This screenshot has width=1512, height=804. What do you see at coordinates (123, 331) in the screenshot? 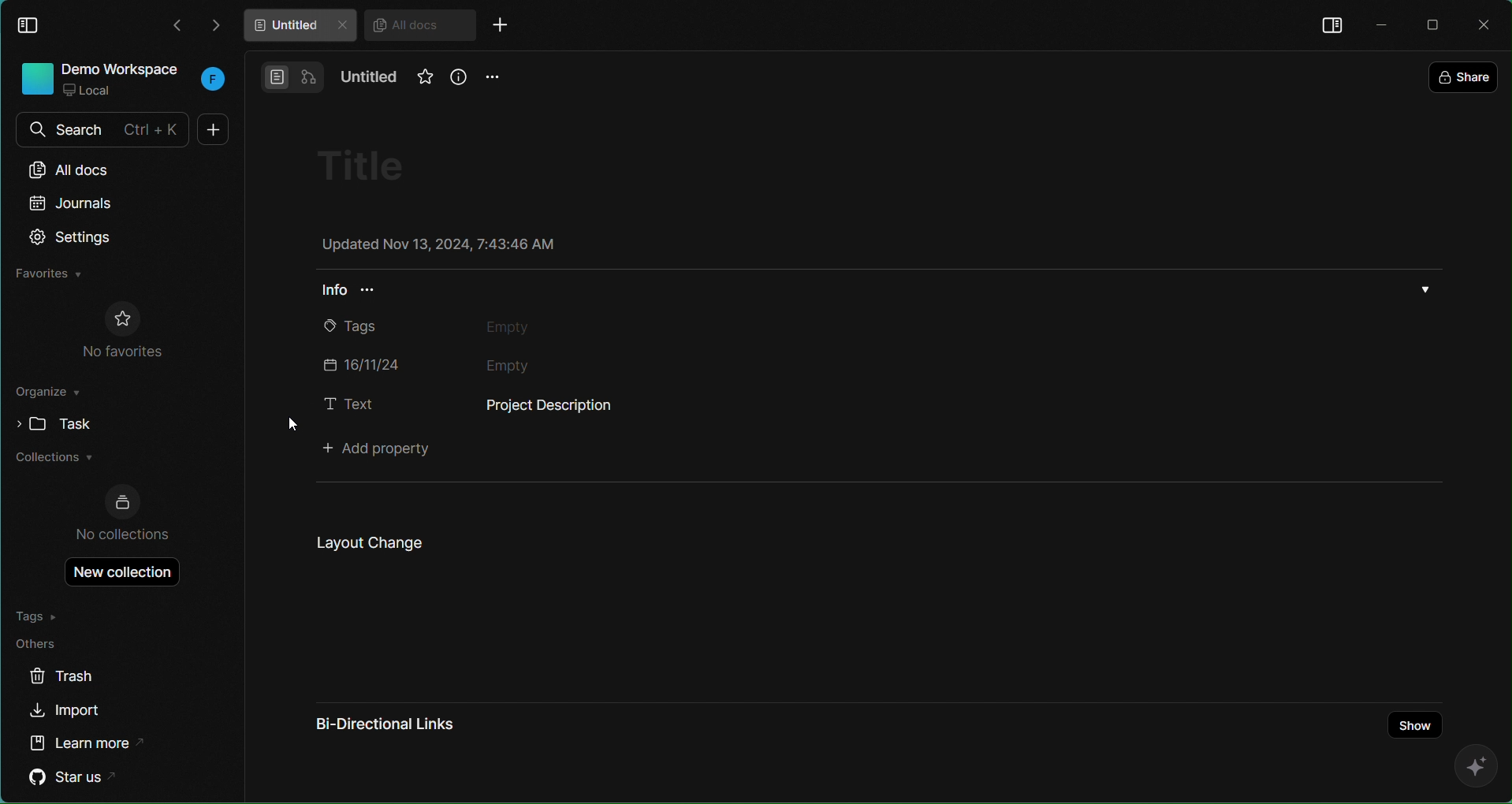
I see `no favorites` at bounding box center [123, 331].